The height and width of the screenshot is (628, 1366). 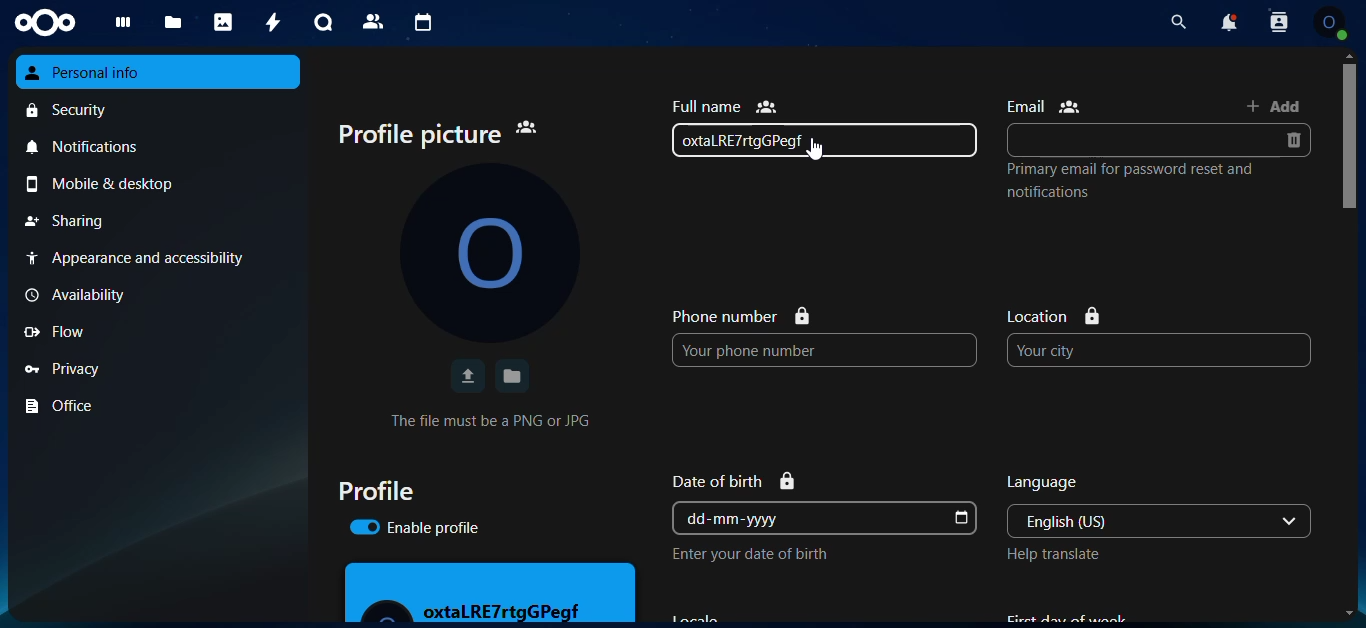 I want to click on availability, so click(x=155, y=295).